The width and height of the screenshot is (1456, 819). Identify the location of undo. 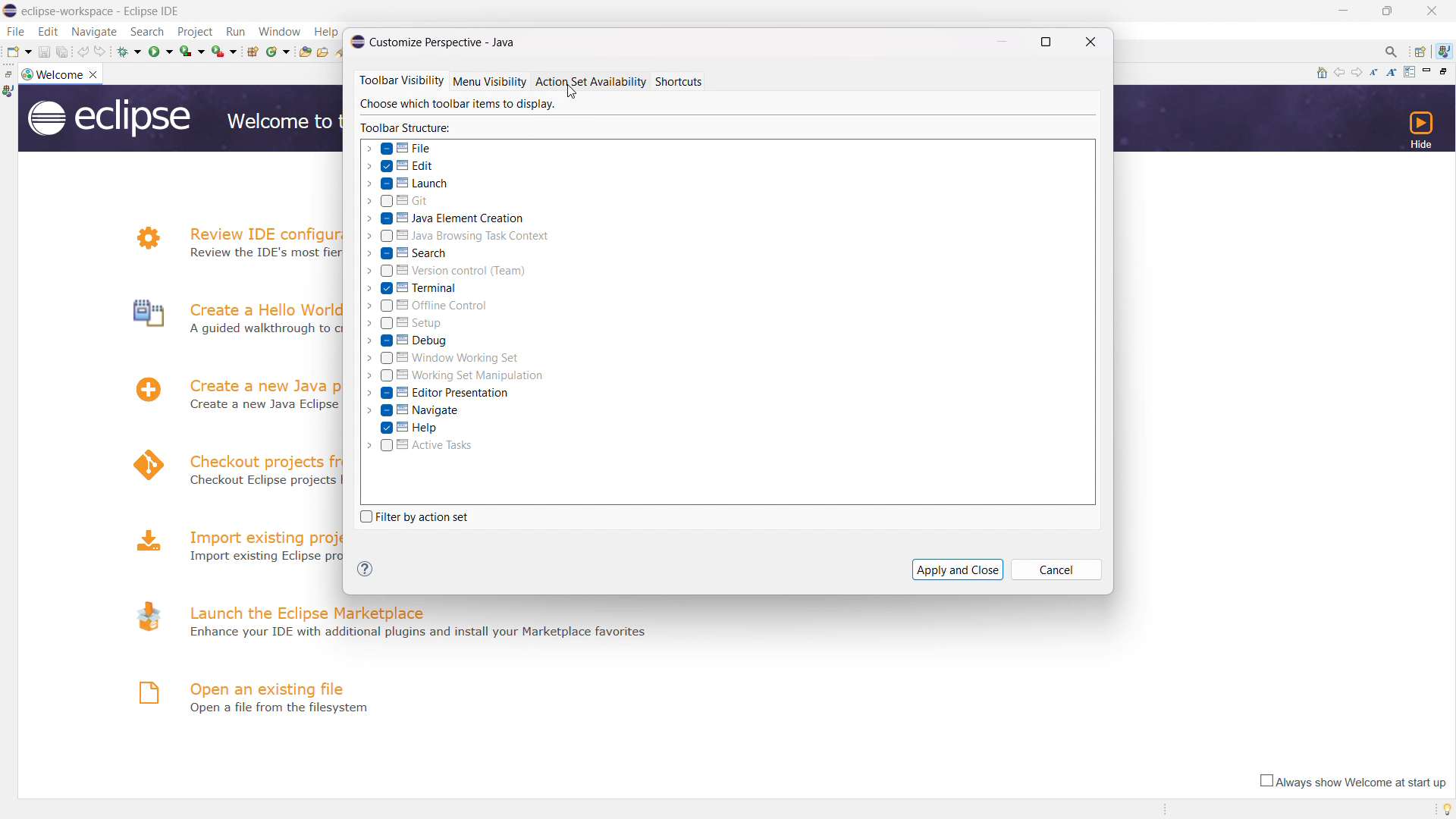
(83, 52).